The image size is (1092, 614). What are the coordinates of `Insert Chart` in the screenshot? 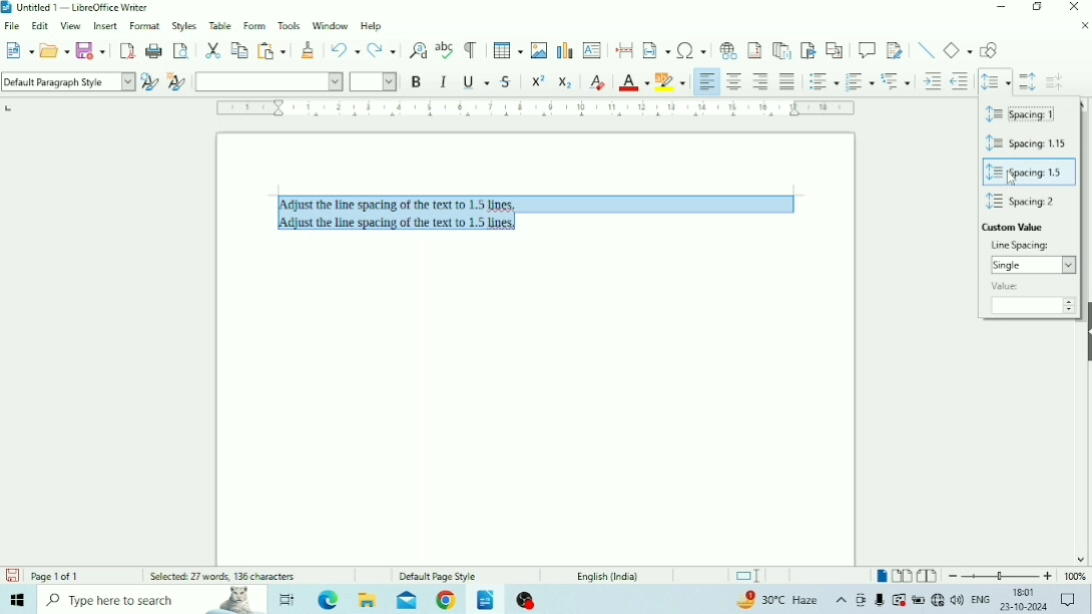 It's located at (565, 49).